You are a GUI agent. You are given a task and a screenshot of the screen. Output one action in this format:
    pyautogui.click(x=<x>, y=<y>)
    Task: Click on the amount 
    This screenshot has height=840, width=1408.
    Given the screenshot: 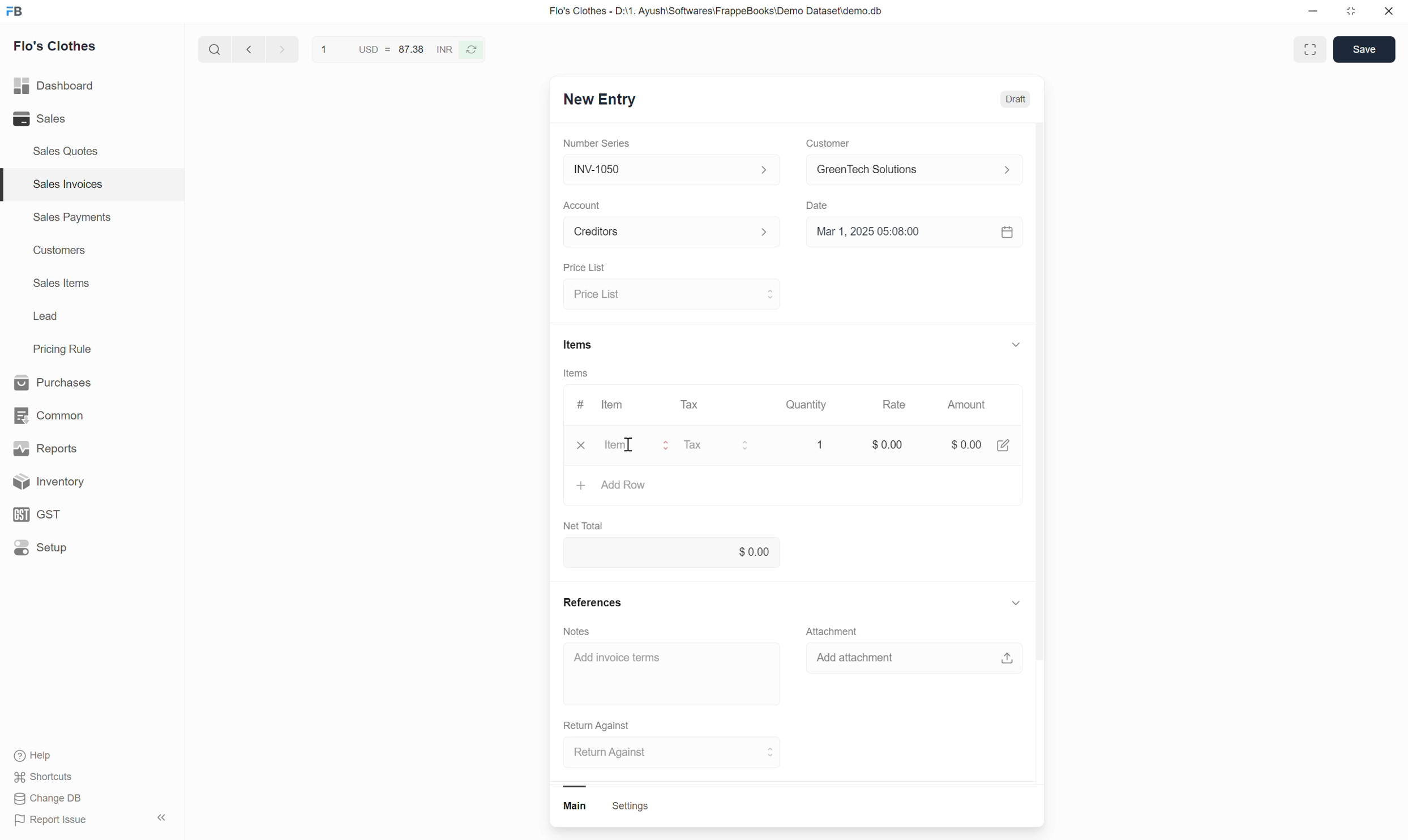 What is the action you would take?
    pyautogui.click(x=958, y=445)
    